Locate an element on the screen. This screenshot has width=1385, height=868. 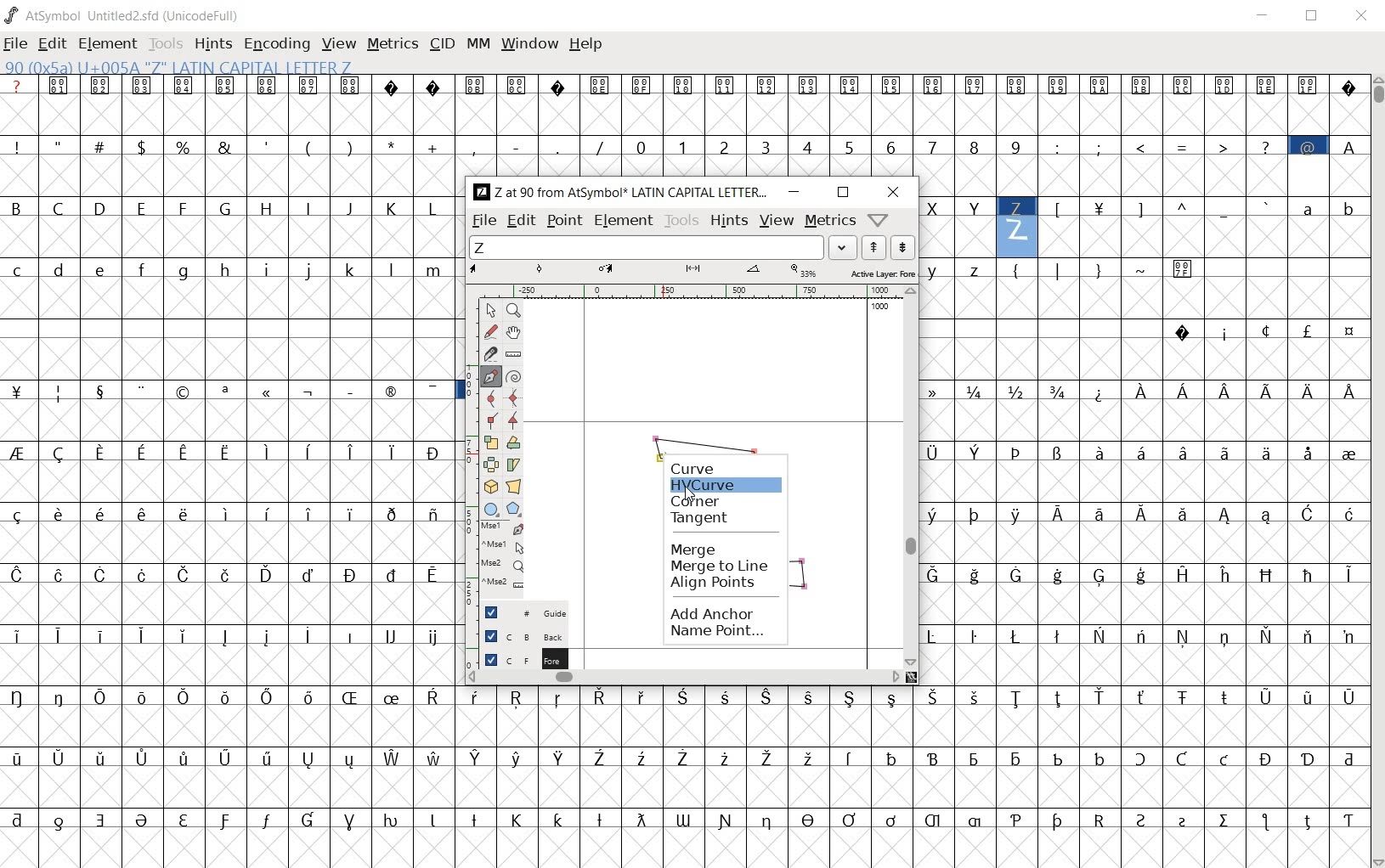
merge to line is located at coordinates (721, 566).